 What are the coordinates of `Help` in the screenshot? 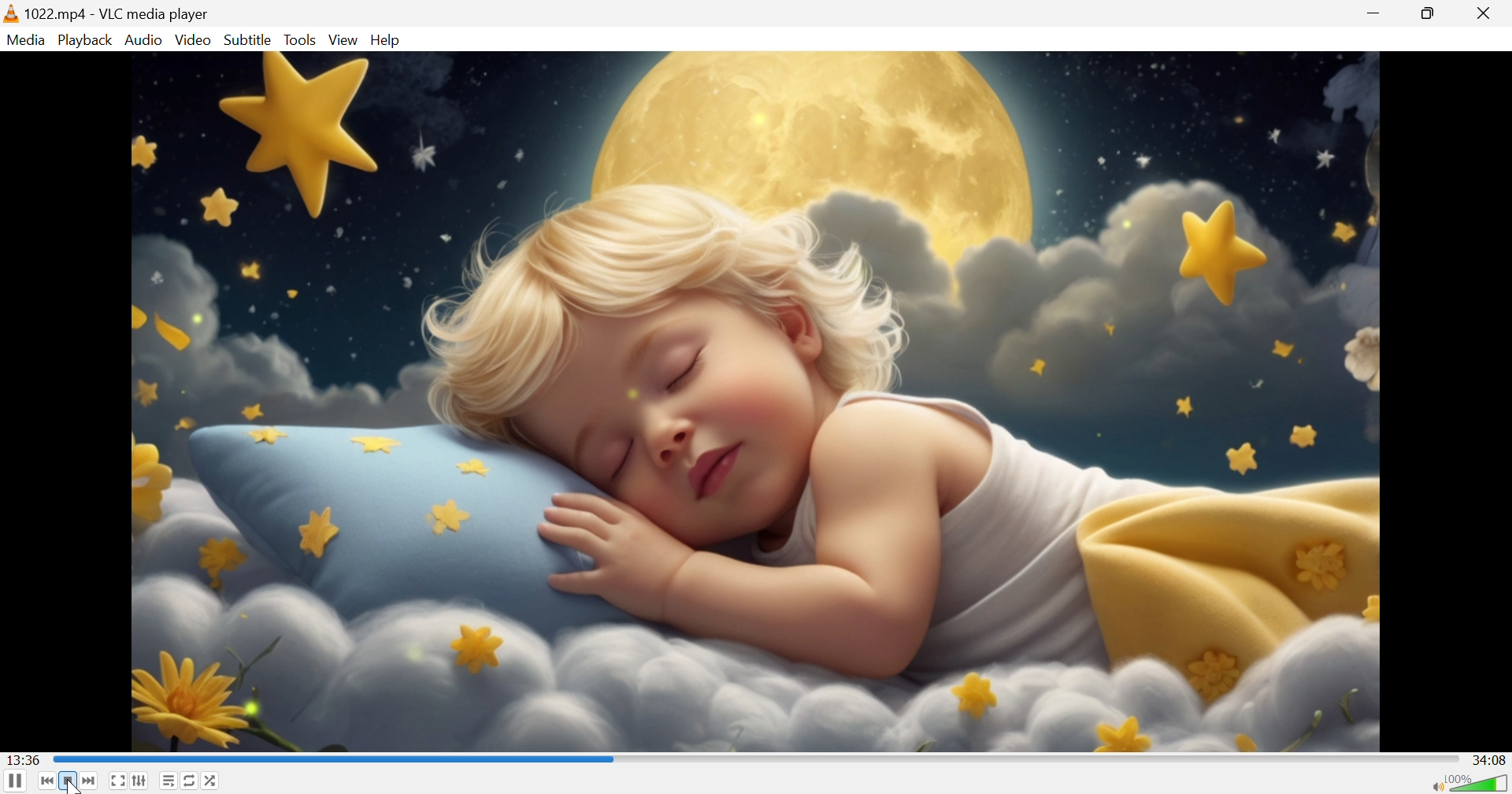 It's located at (387, 39).